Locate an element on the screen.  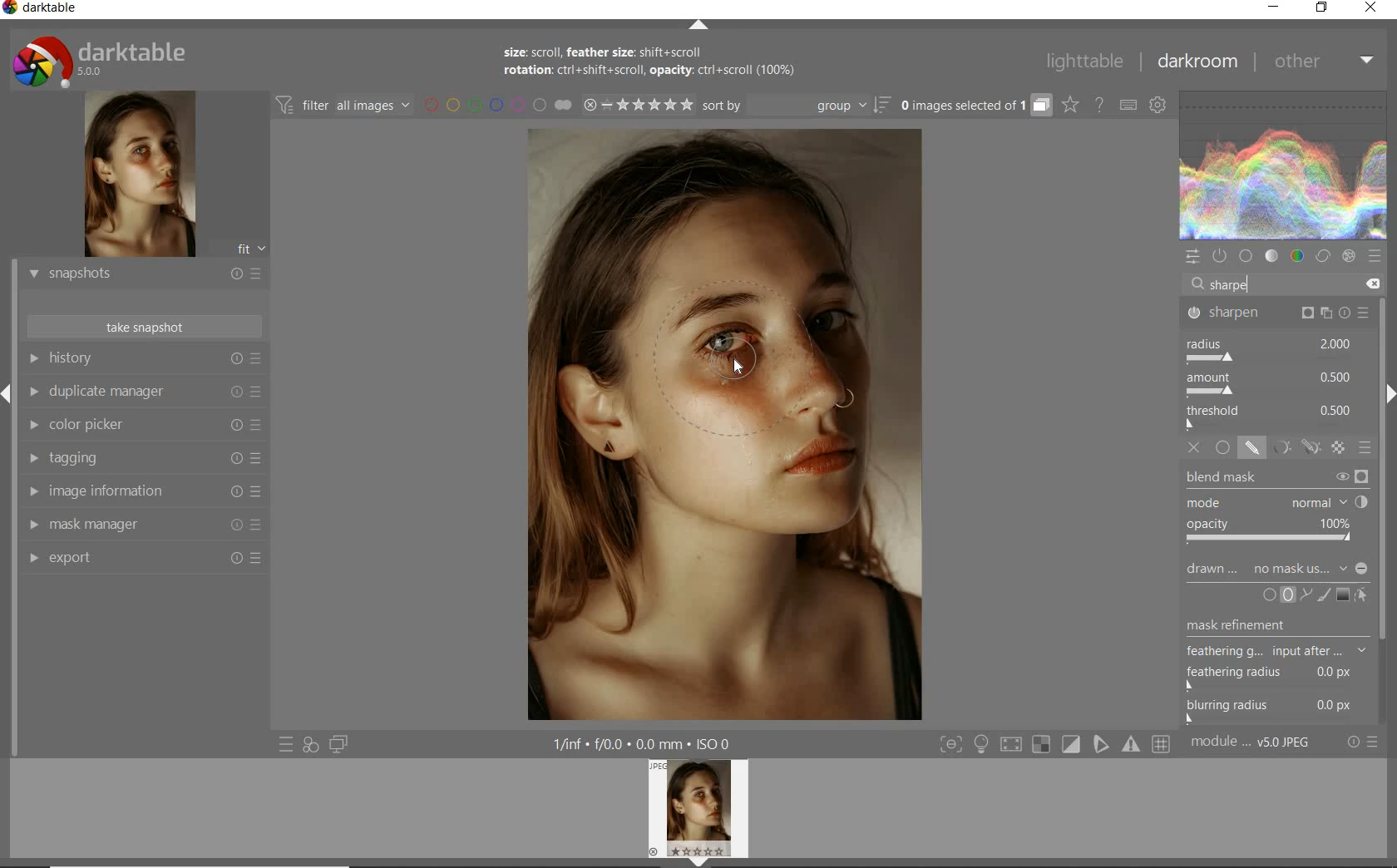
sort is located at coordinates (795, 106).